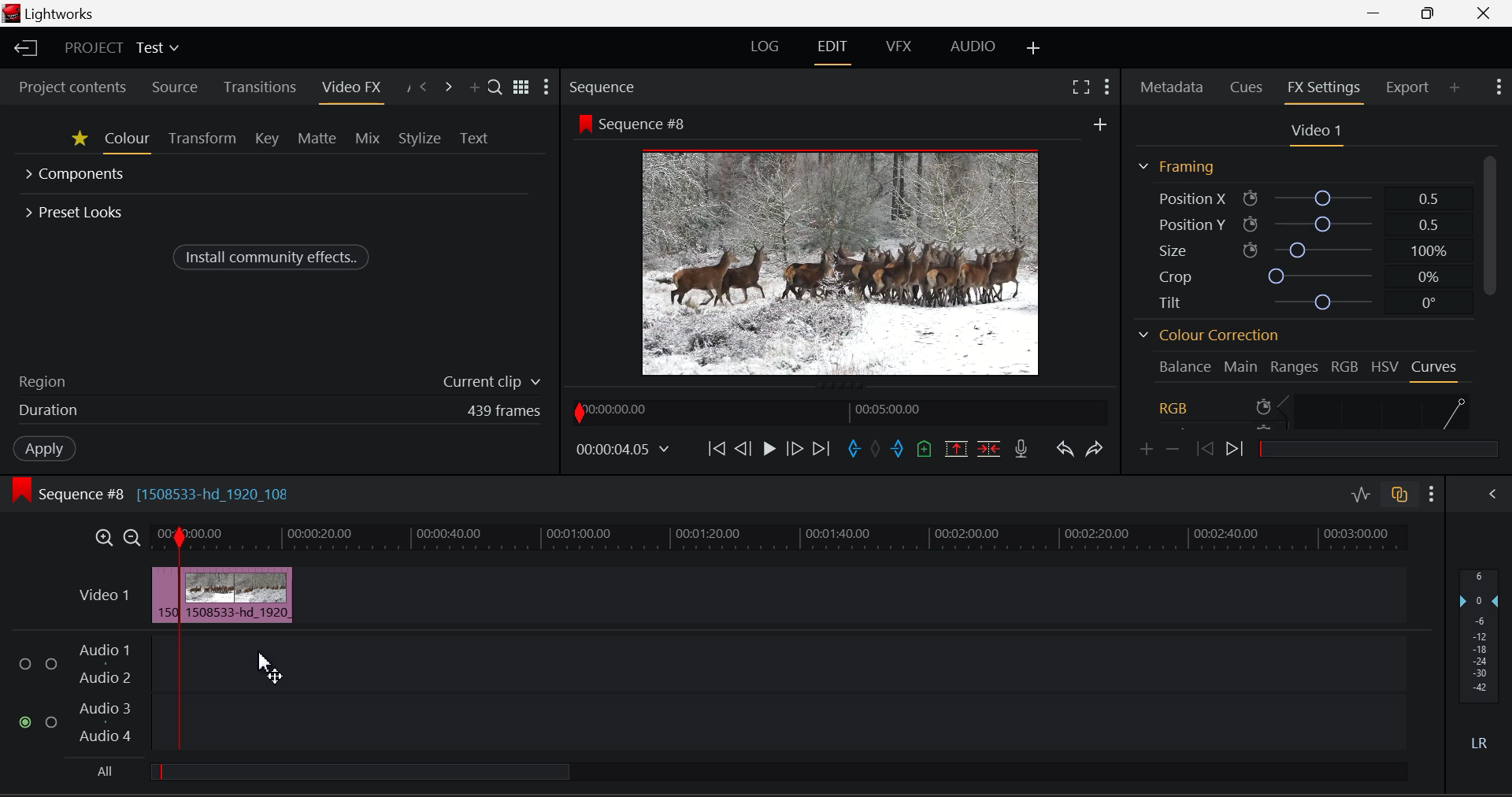  Describe the element at coordinates (448, 85) in the screenshot. I see `Next Panel` at that location.